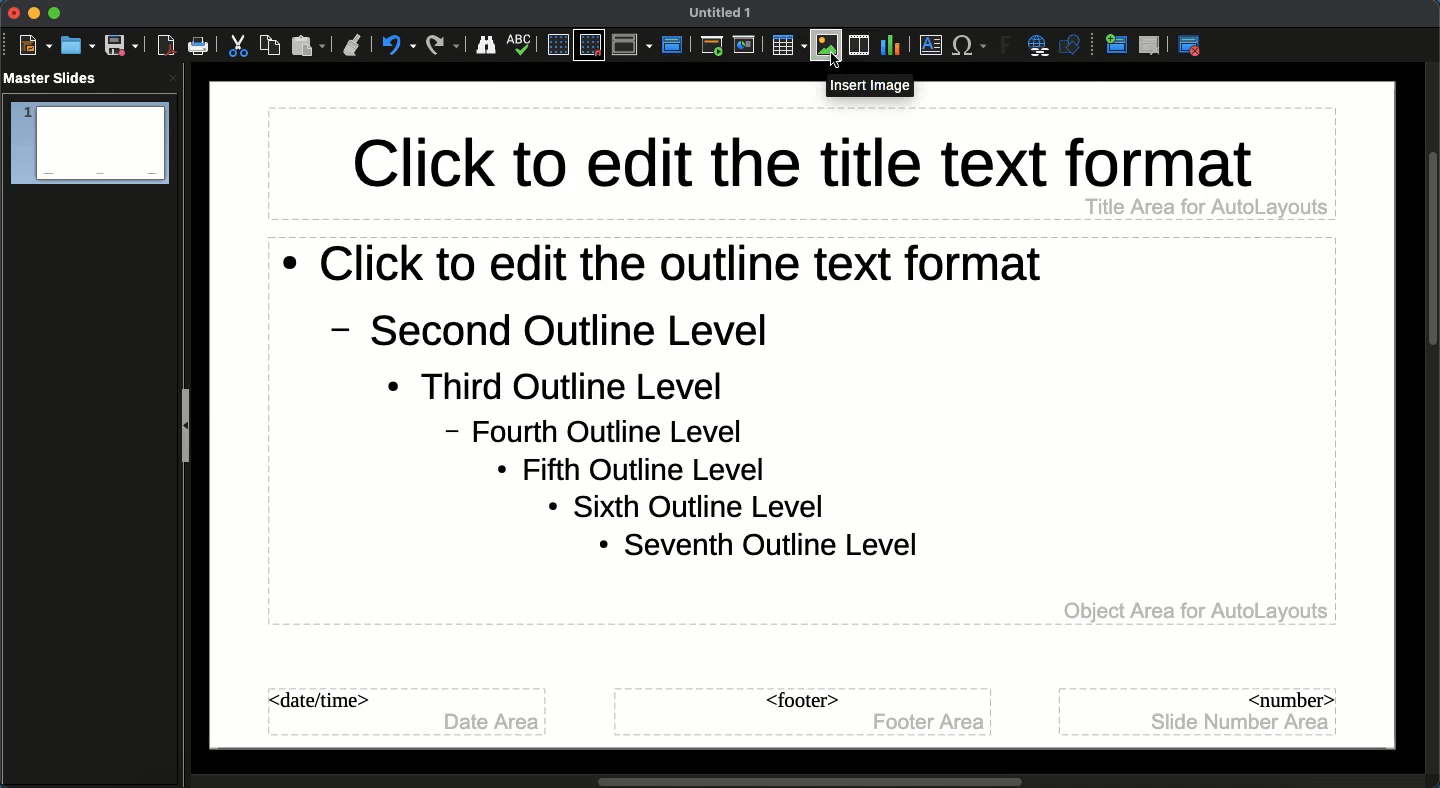  I want to click on Audio or video, so click(858, 47).